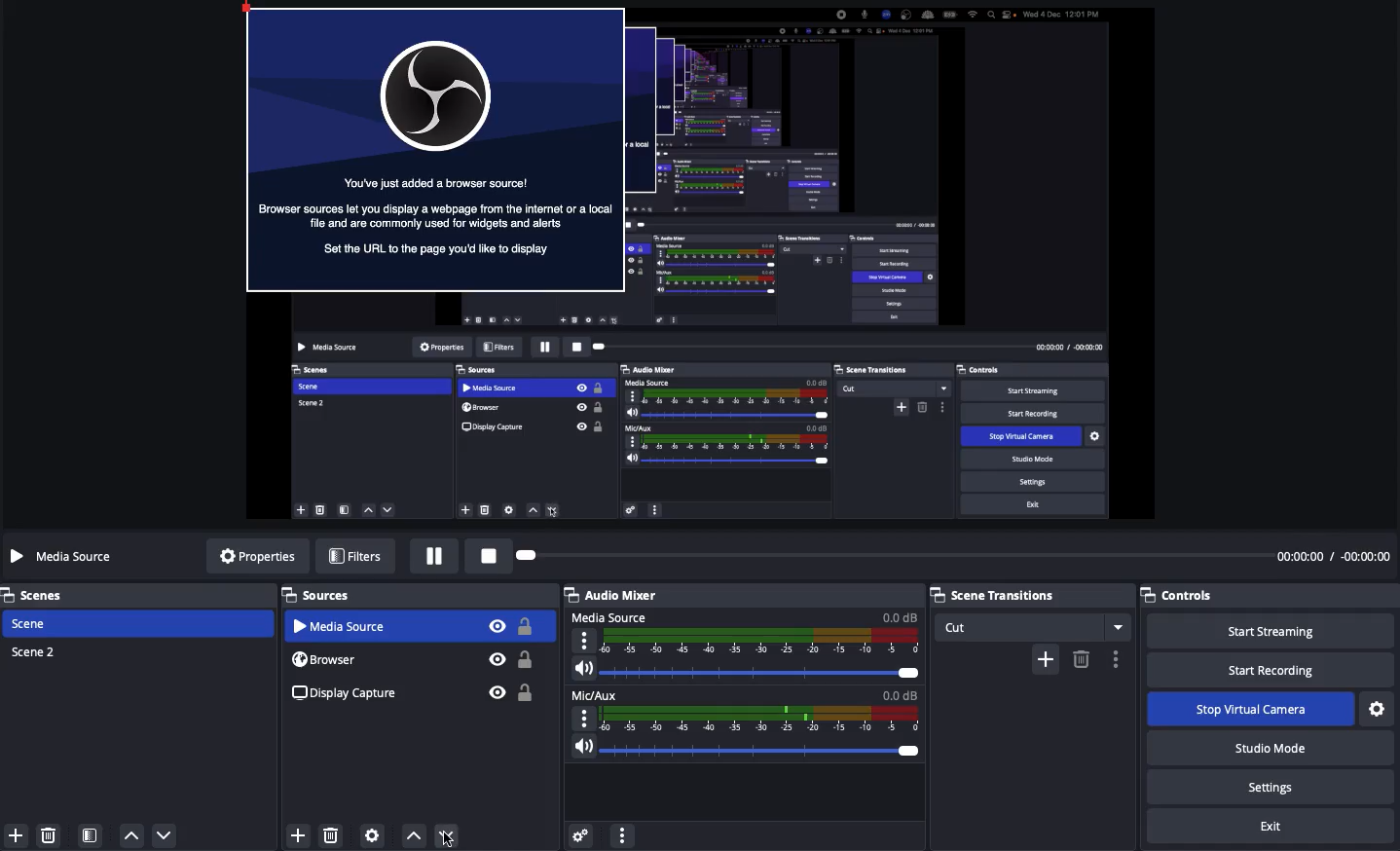 This screenshot has width=1400, height=851. I want to click on Settings, so click(1380, 706).